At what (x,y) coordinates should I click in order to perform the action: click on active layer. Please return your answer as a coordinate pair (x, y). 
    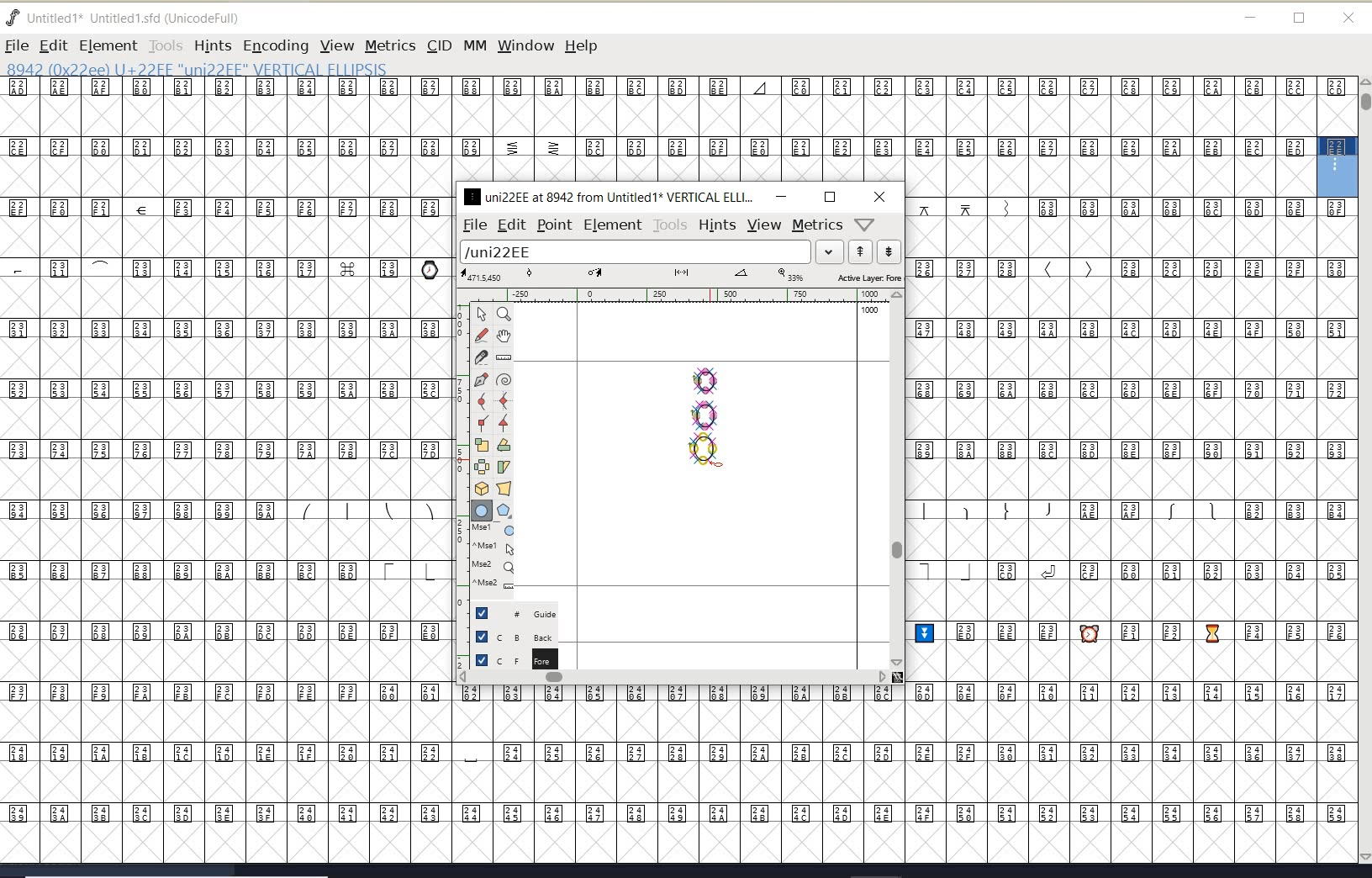
    Looking at the image, I should click on (682, 278).